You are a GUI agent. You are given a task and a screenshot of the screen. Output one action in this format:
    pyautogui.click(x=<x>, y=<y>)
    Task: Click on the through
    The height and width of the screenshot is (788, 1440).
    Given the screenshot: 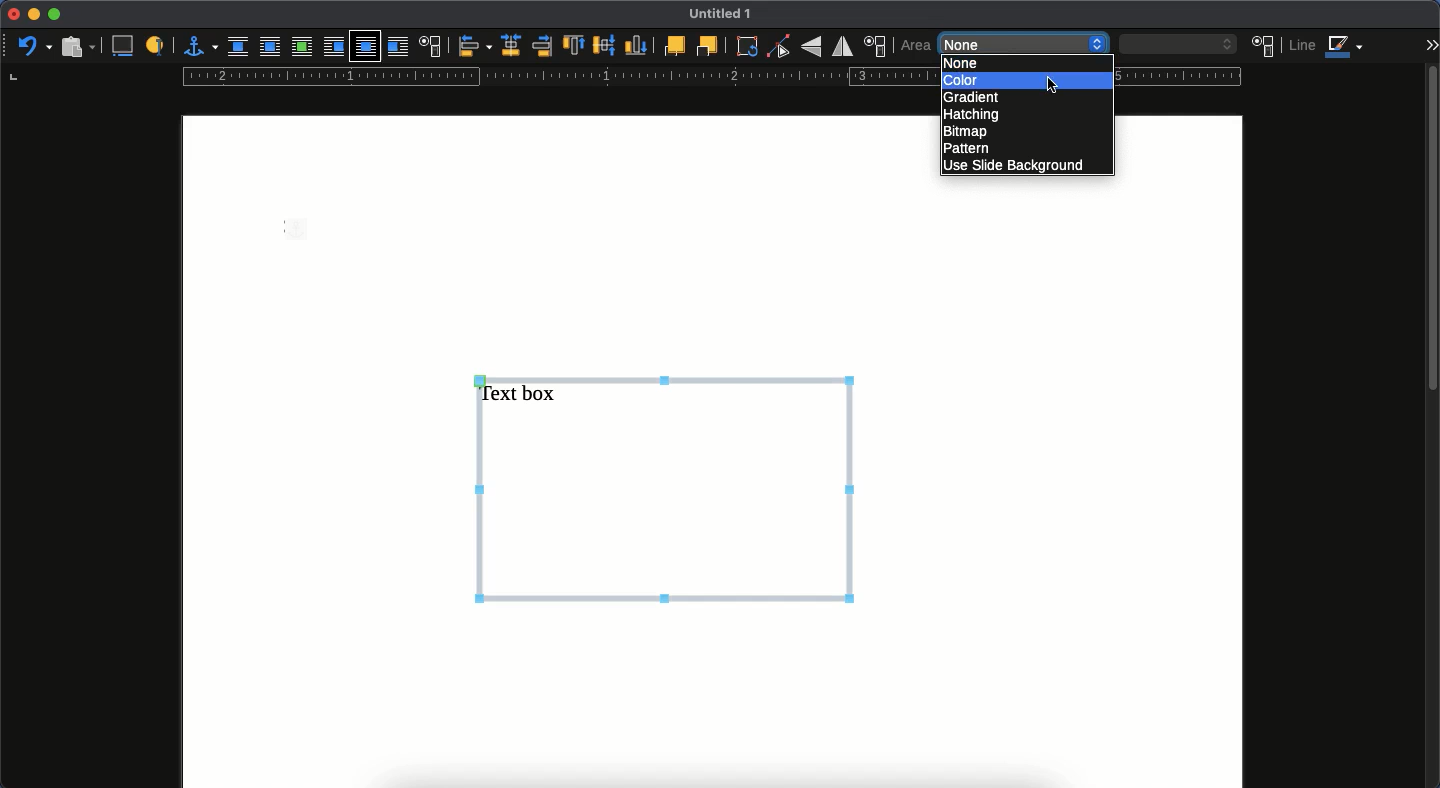 What is the action you would take?
    pyautogui.click(x=366, y=47)
    